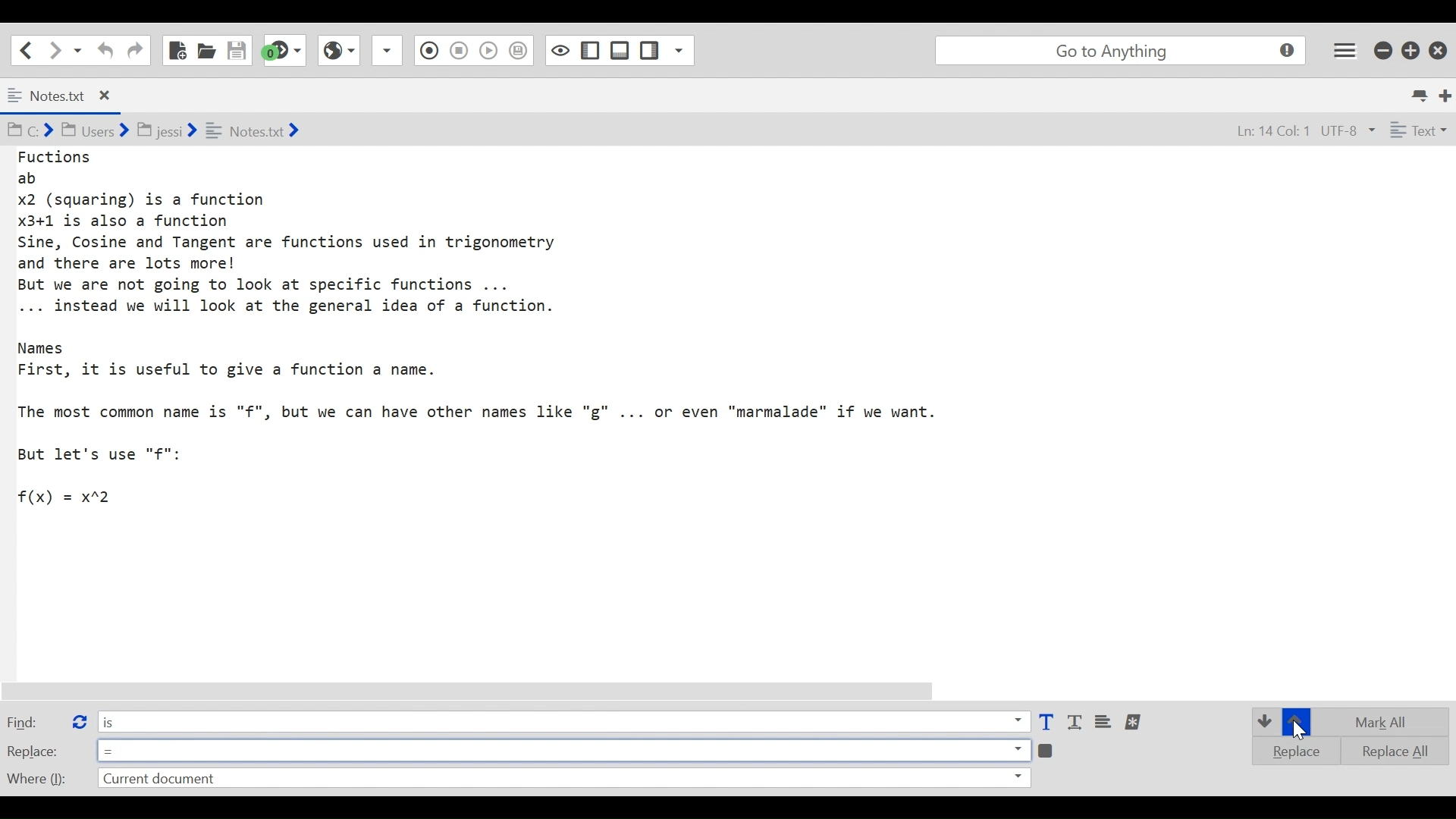 This screenshot has height=819, width=1456. Describe the element at coordinates (458, 49) in the screenshot. I see `View in Browser` at that location.